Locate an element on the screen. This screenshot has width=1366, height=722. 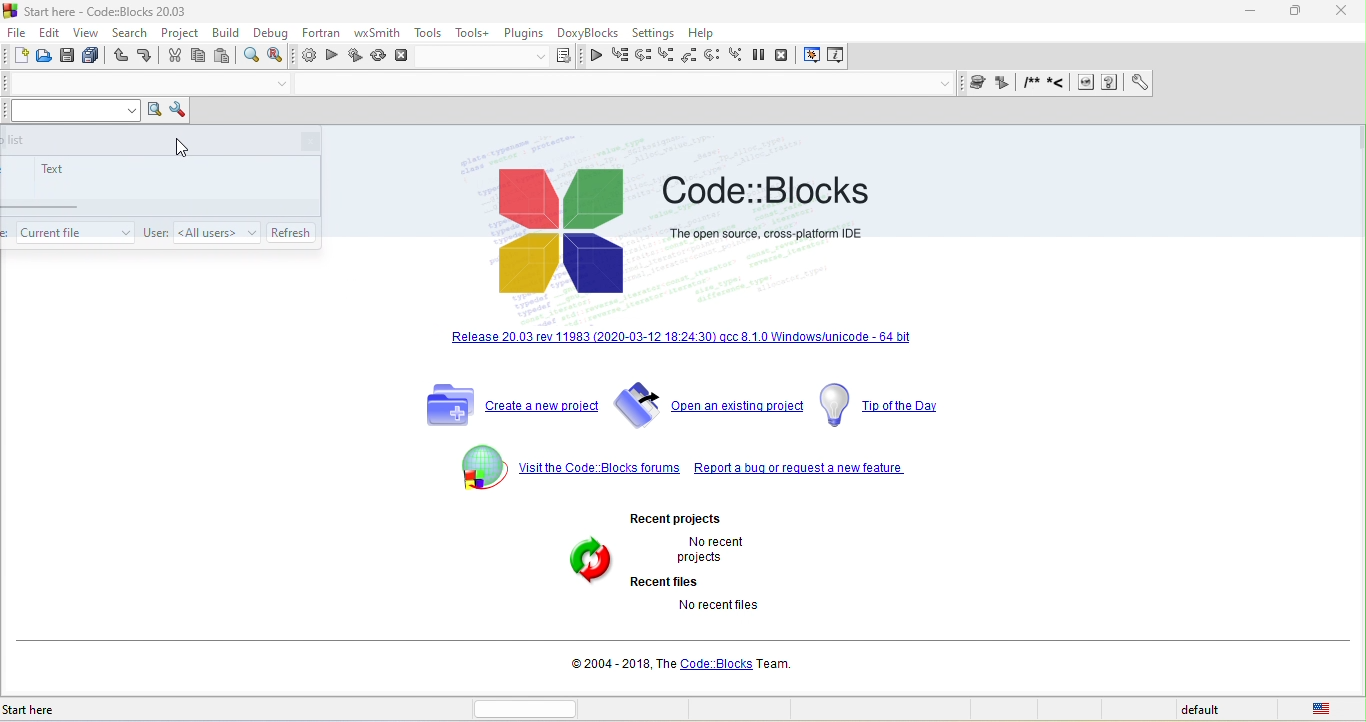
floating panel is located at coordinates (161, 184).